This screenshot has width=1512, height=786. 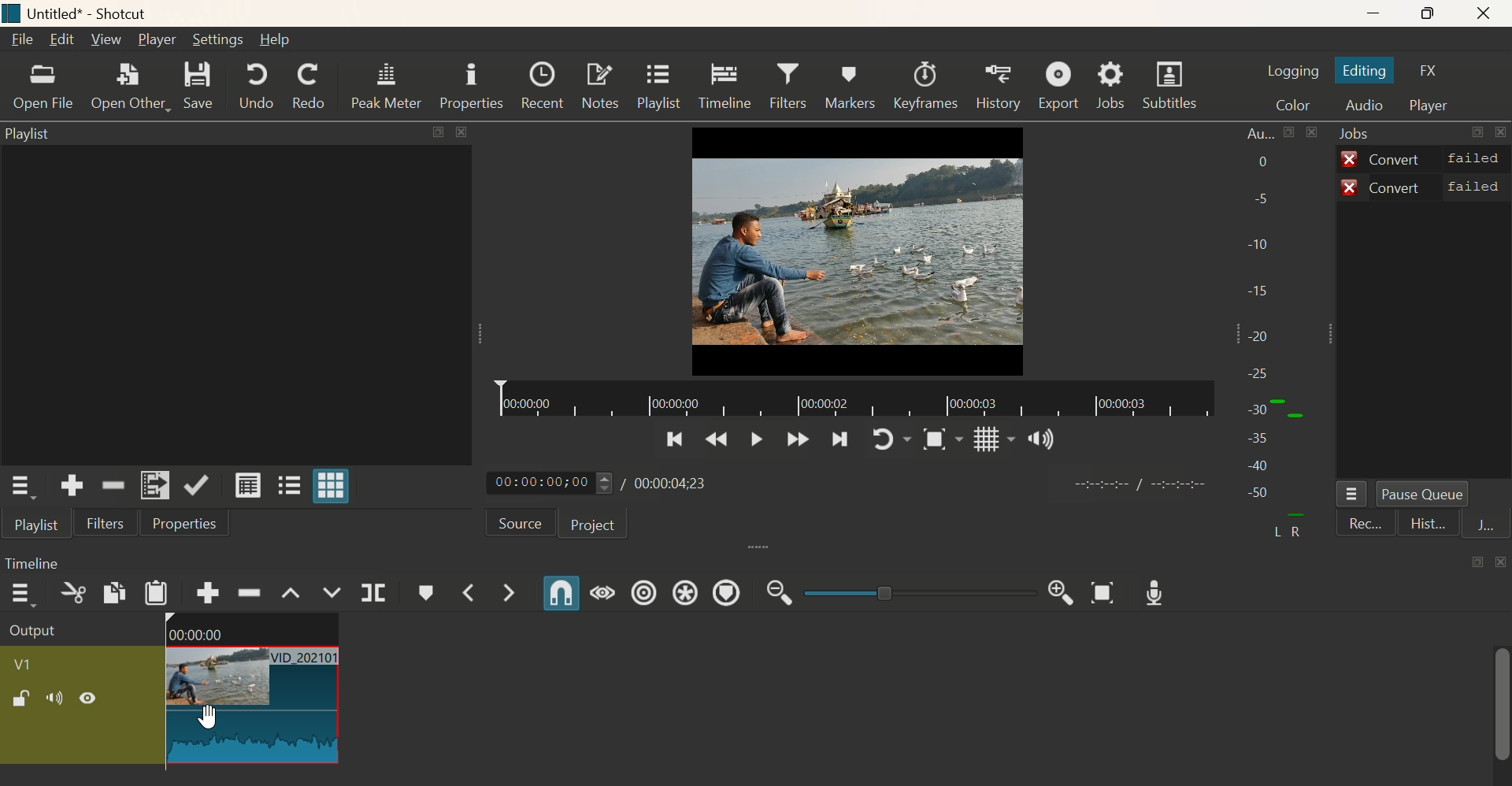 I want to click on restore, so click(x=1477, y=562).